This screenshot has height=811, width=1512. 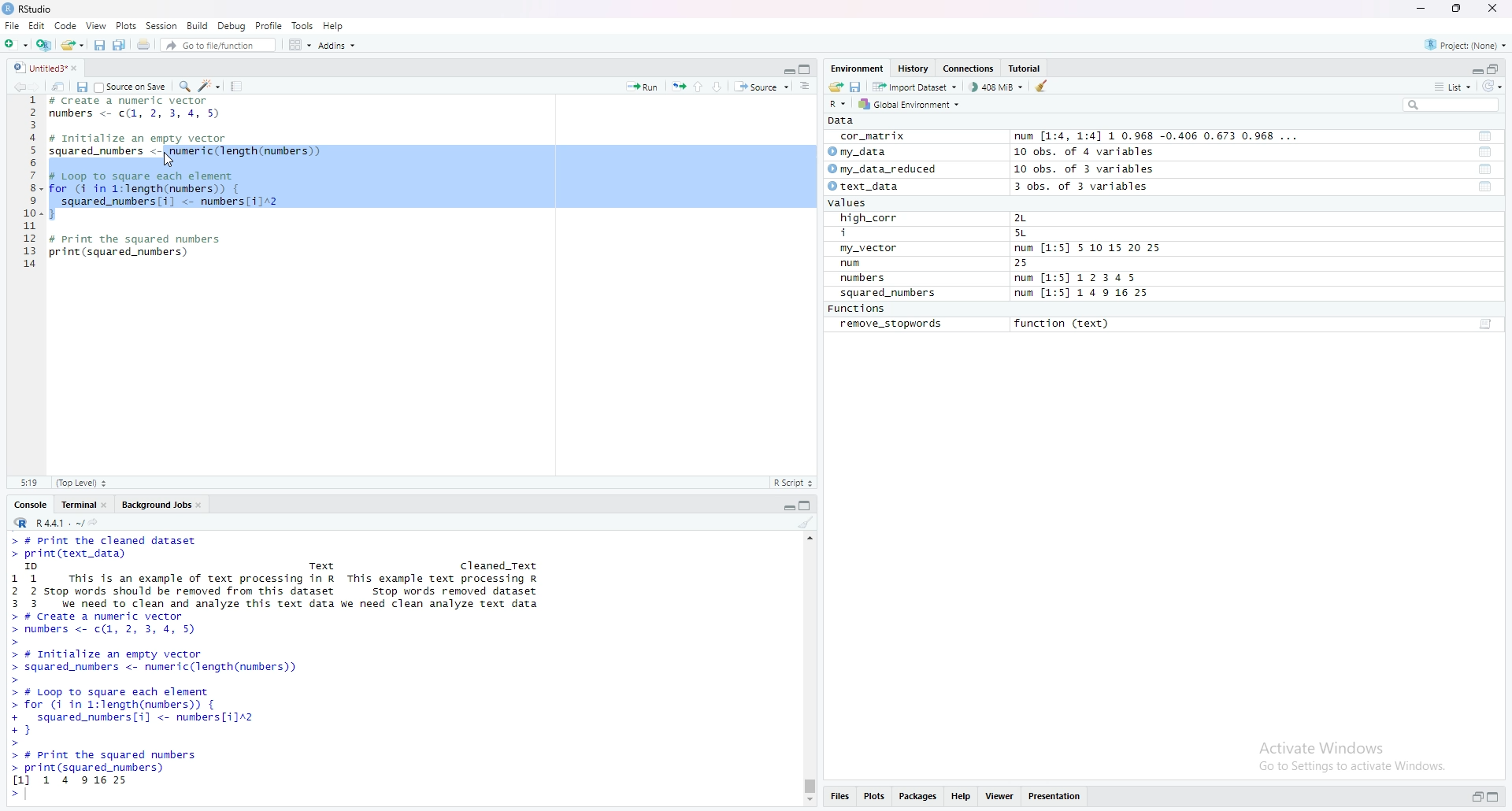 I want to click on Import Dataset, so click(x=914, y=86).